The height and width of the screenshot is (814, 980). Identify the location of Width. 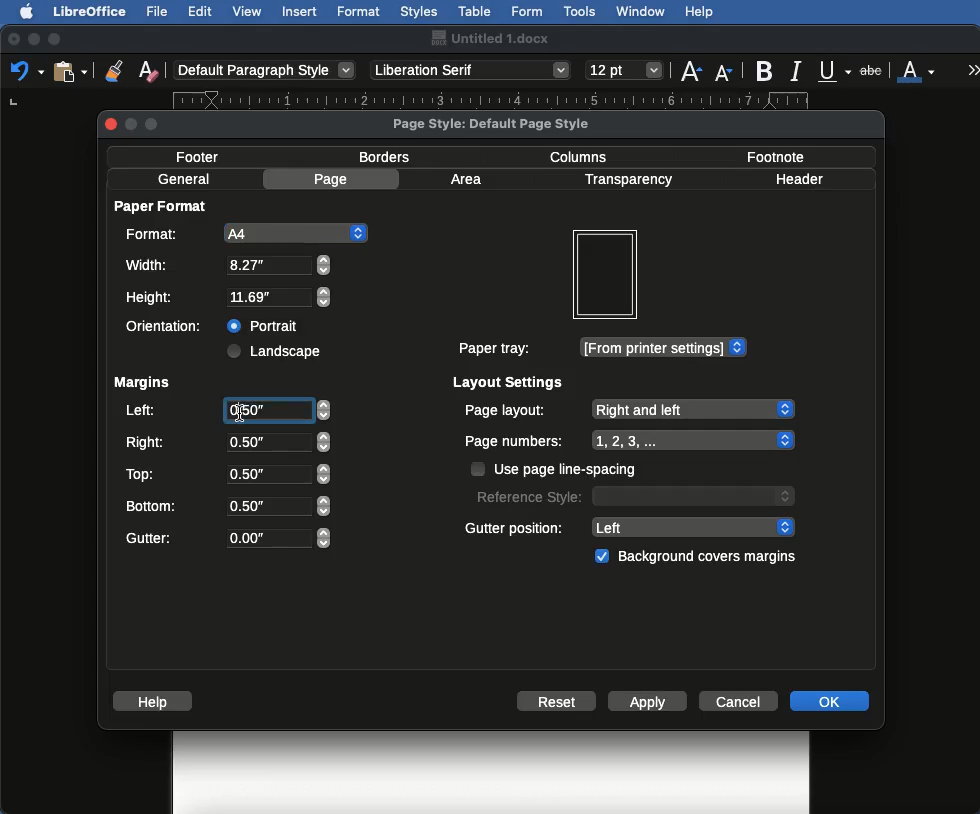
(227, 265).